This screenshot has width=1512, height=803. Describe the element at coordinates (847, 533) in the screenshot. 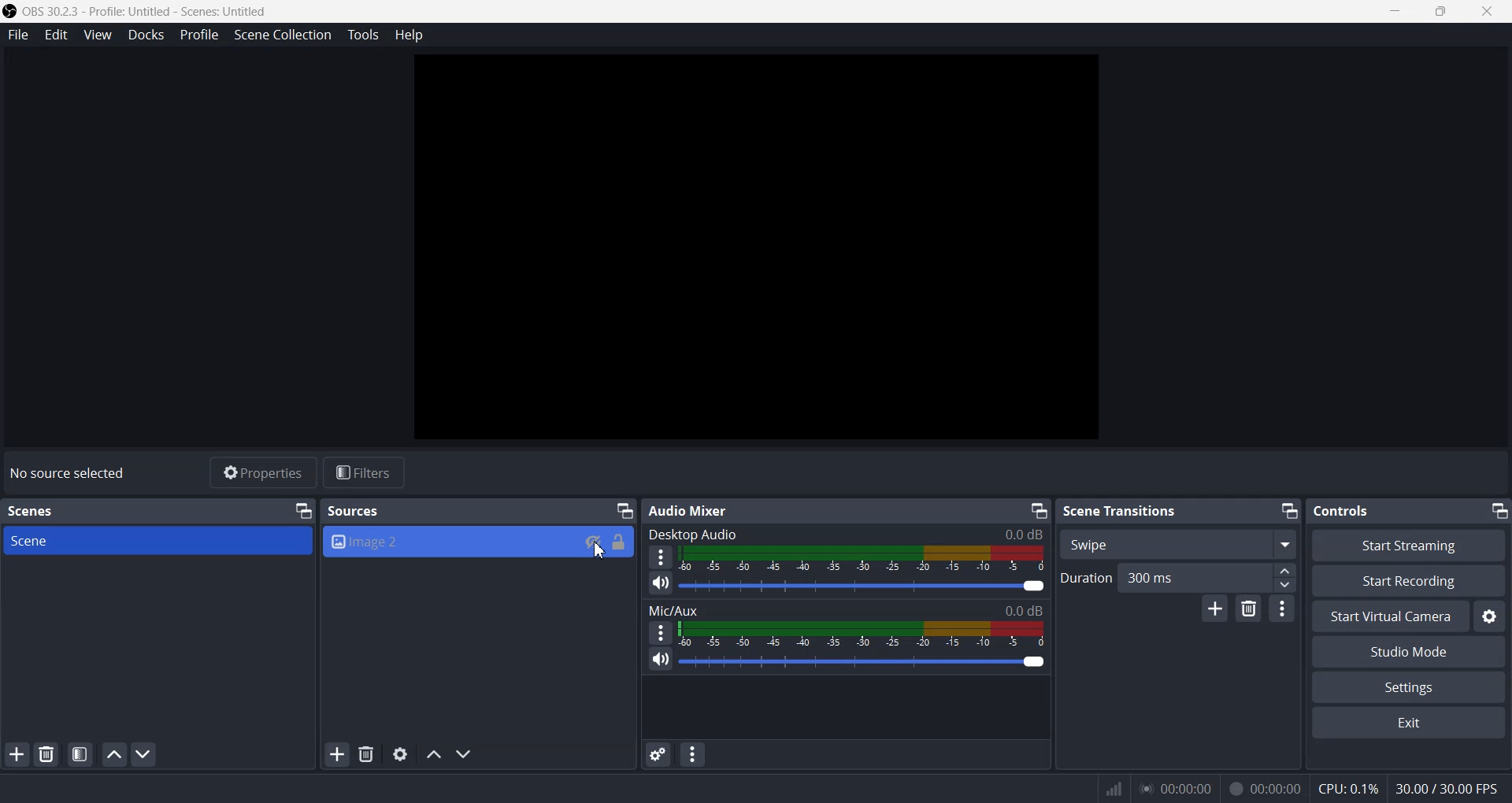

I see `Desktop Audio` at that location.